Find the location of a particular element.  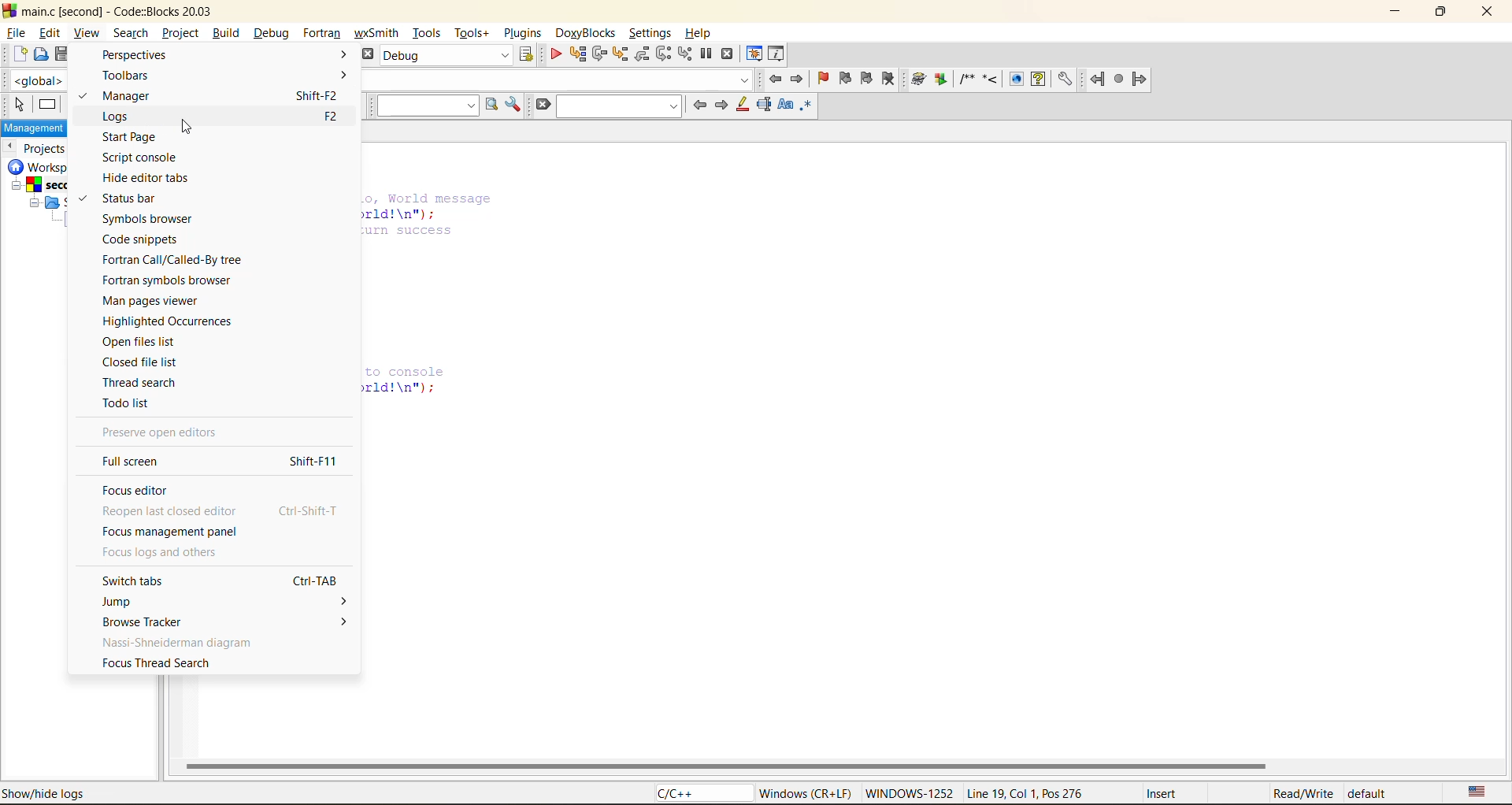

open files list is located at coordinates (151, 343).